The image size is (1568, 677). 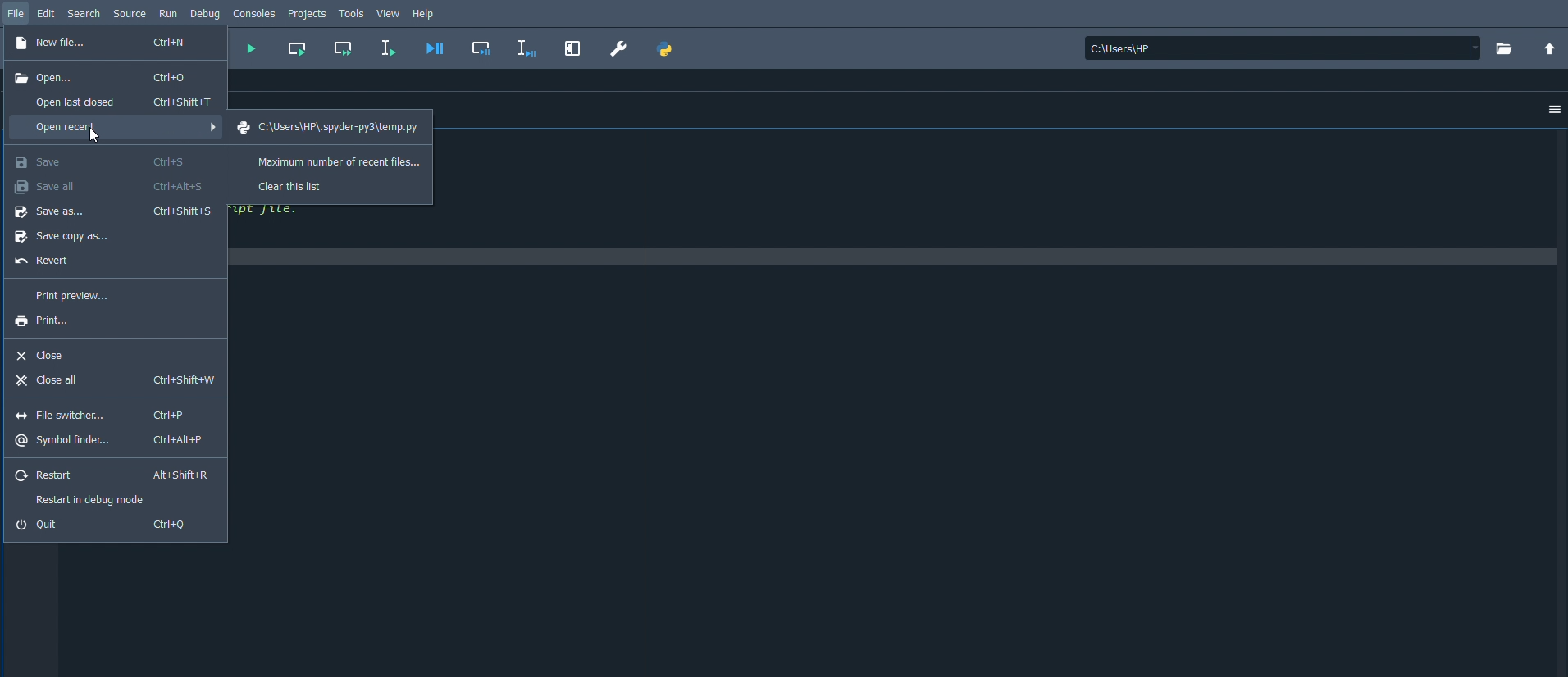 What do you see at coordinates (485, 47) in the screenshot?
I see `Debug cell` at bounding box center [485, 47].